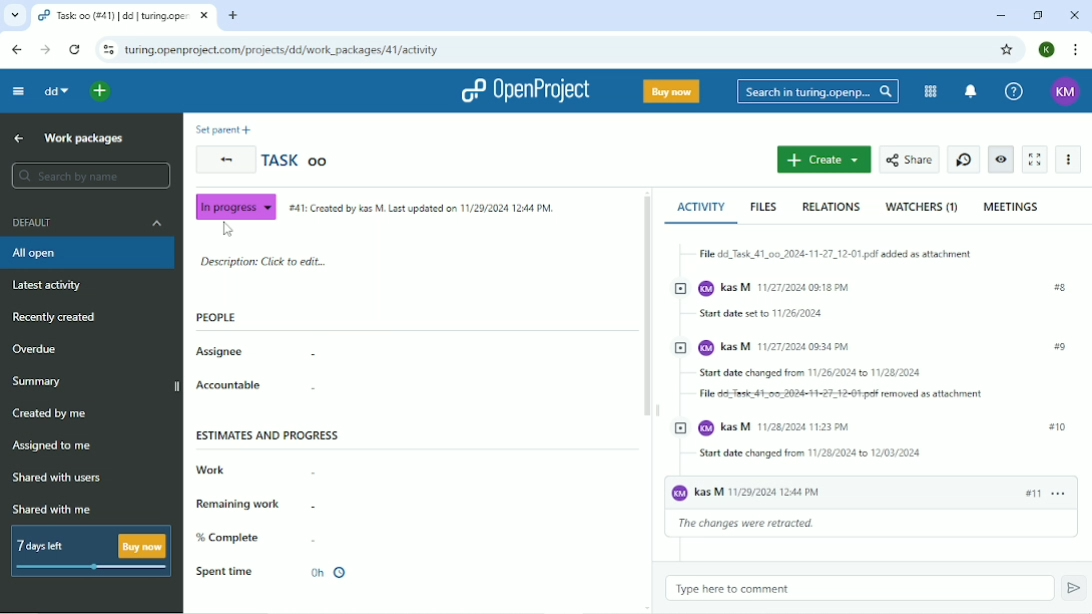 Image resolution: width=1092 pixels, height=614 pixels. What do you see at coordinates (220, 317) in the screenshot?
I see `People` at bounding box center [220, 317].